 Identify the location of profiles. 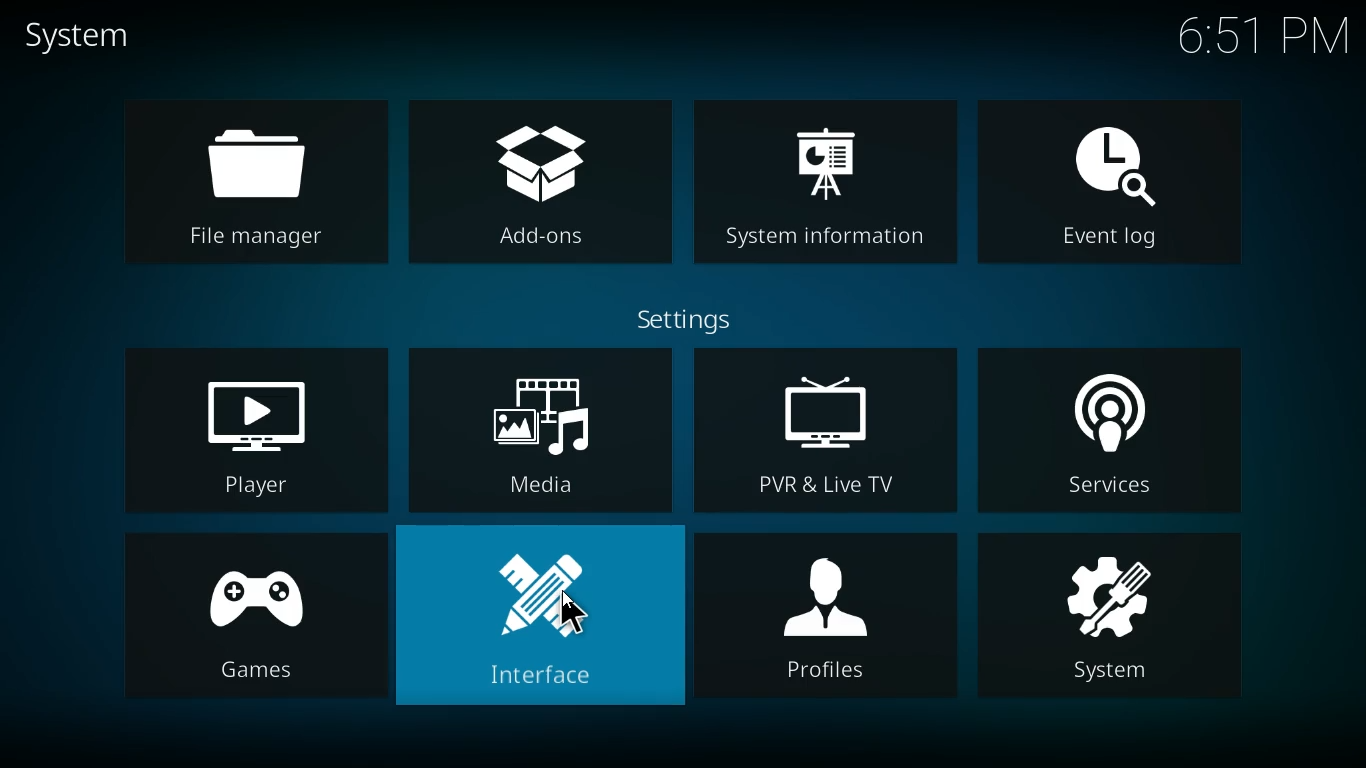
(830, 619).